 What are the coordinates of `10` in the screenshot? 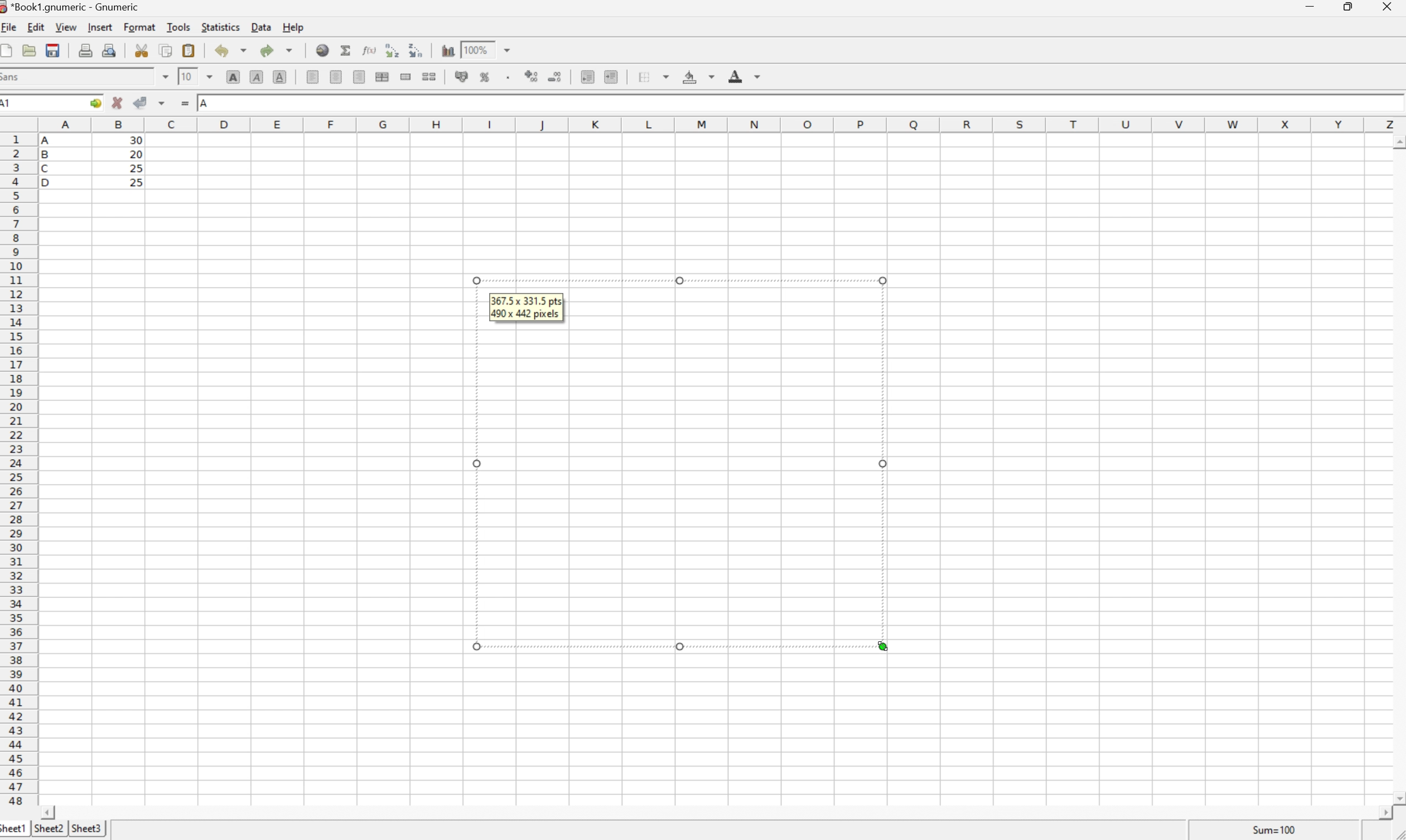 It's located at (187, 76).